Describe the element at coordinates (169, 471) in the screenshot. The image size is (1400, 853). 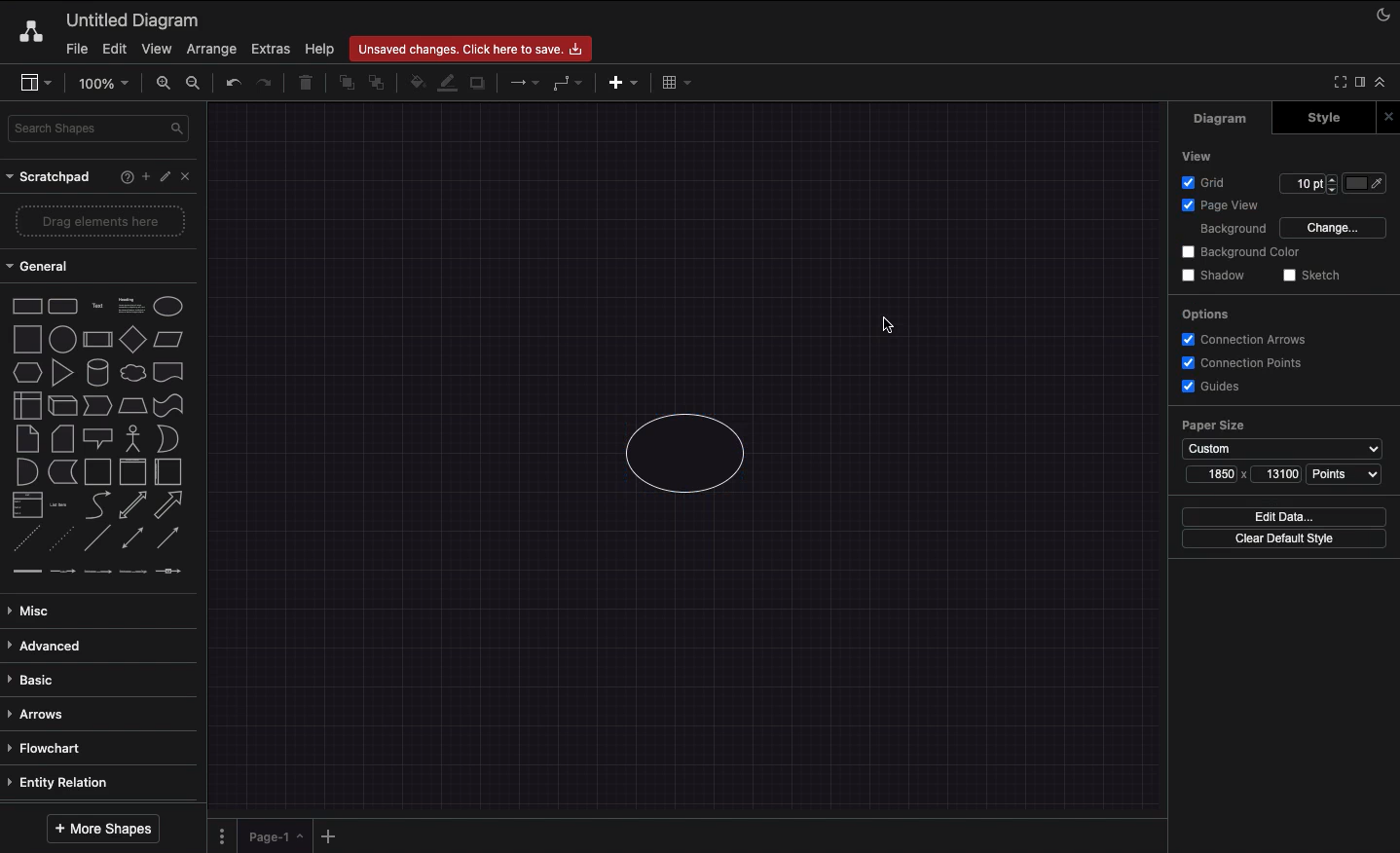
I see `Horizontal container` at that location.